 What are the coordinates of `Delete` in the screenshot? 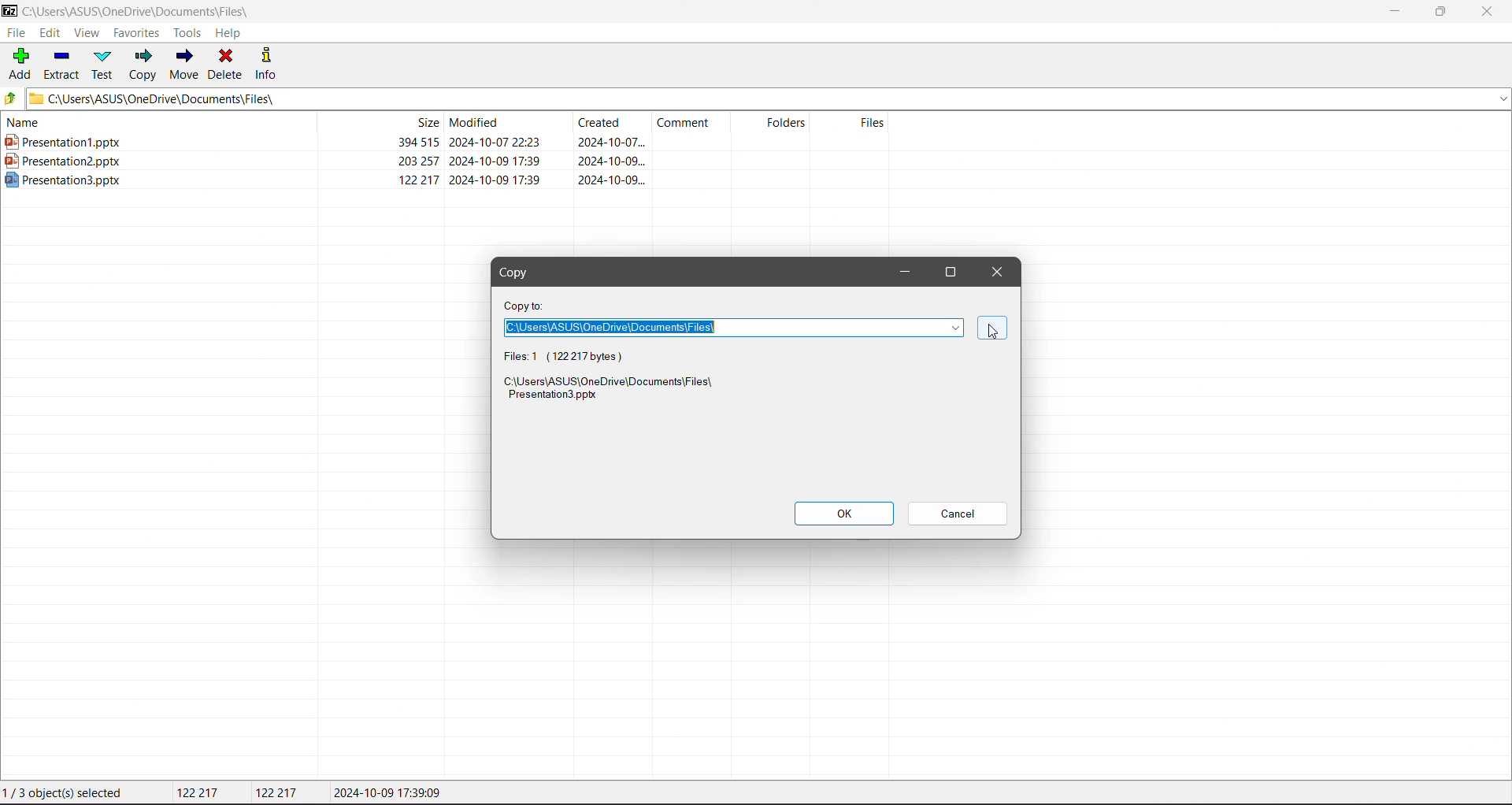 It's located at (228, 65).